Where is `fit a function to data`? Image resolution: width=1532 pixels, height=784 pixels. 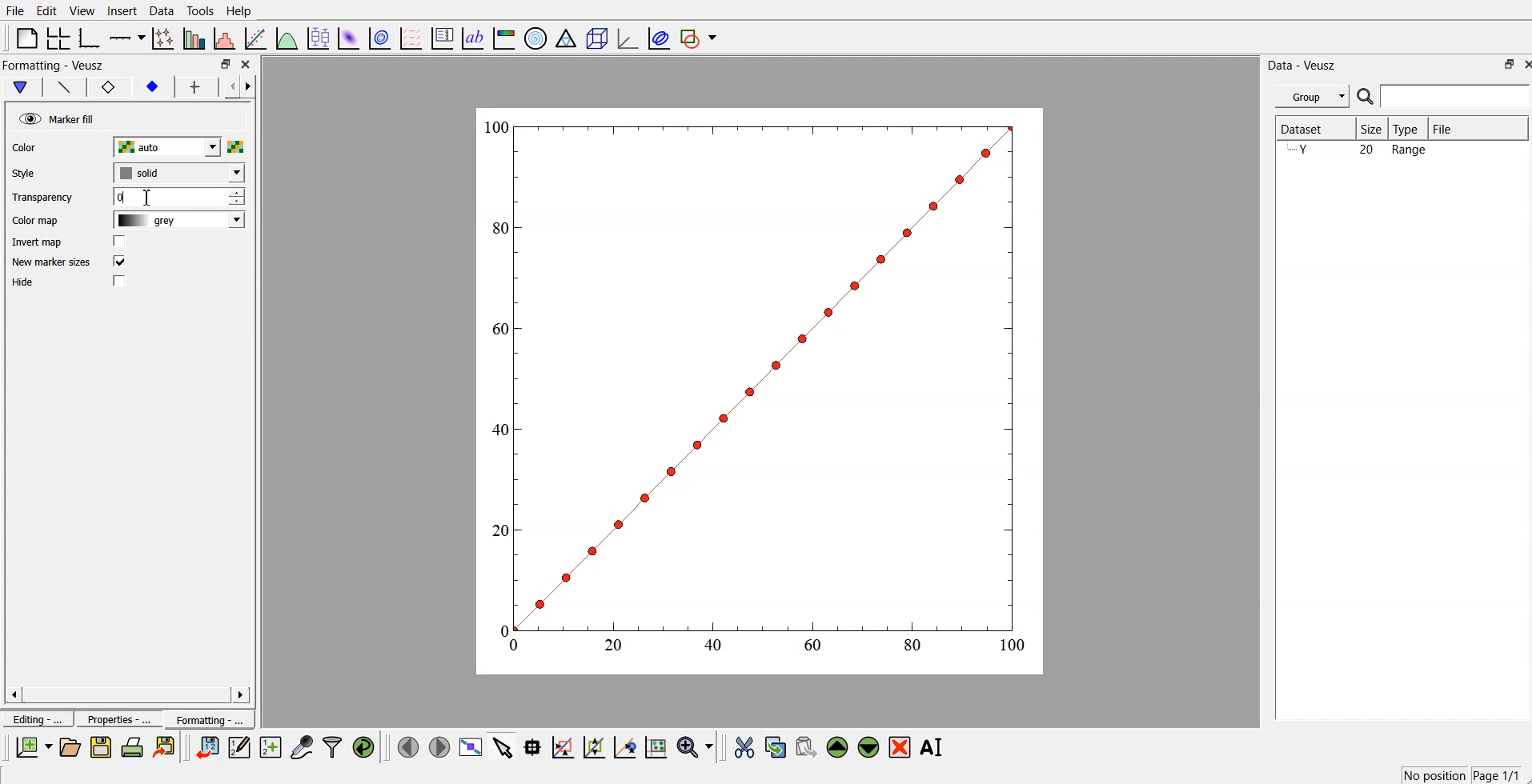
fit a function to data is located at coordinates (256, 38).